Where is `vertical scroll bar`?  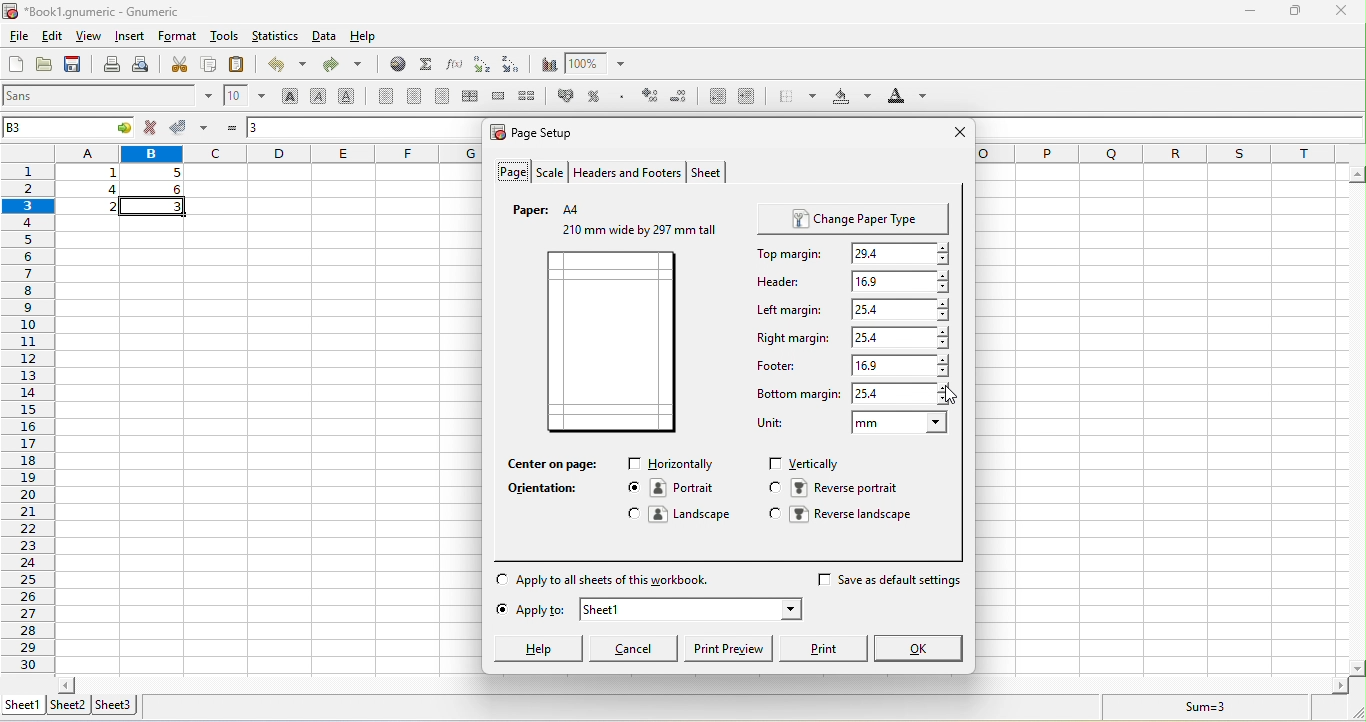 vertical scroll bar is located at coordinates (1357, 421).